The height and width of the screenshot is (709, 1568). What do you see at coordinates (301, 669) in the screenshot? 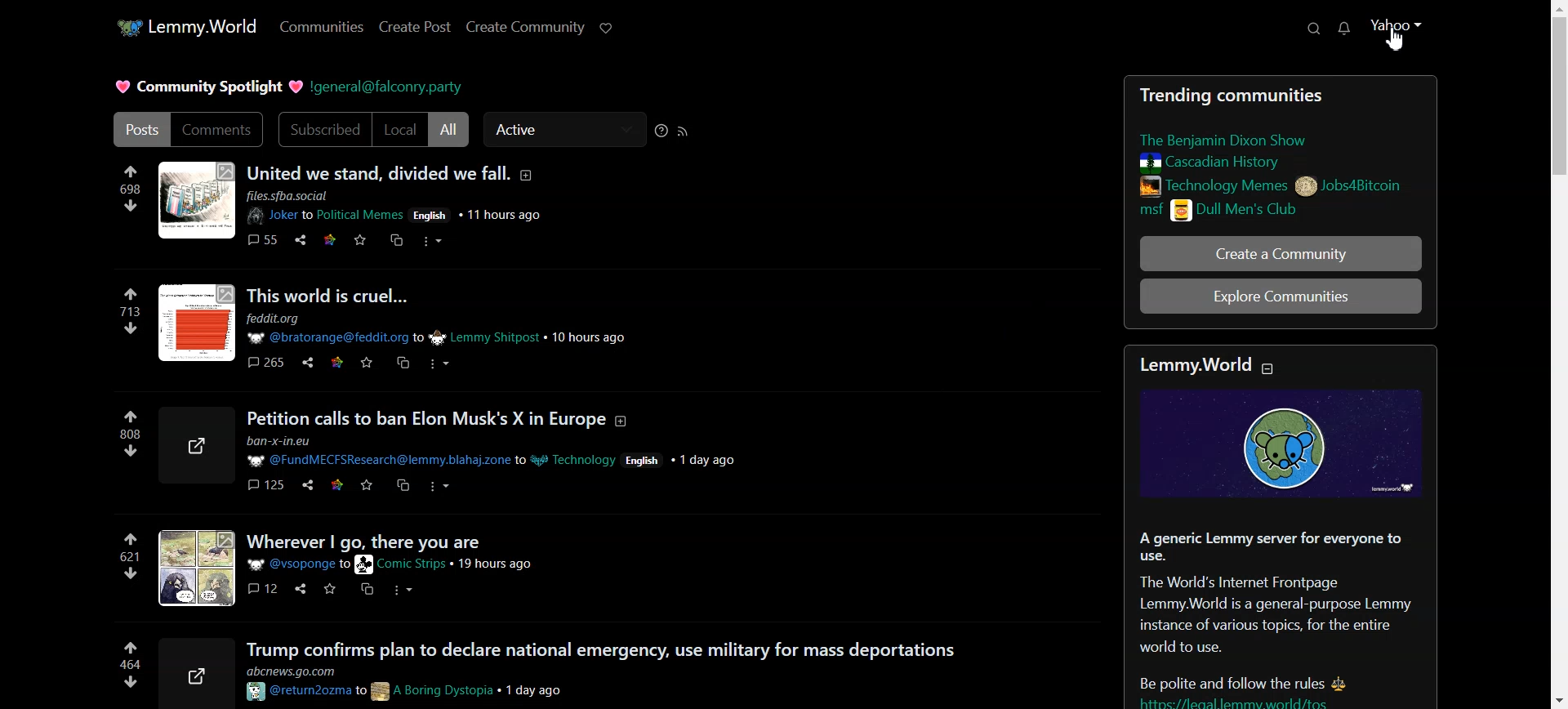
I see `webaddress` at bounding box center [301, 669].